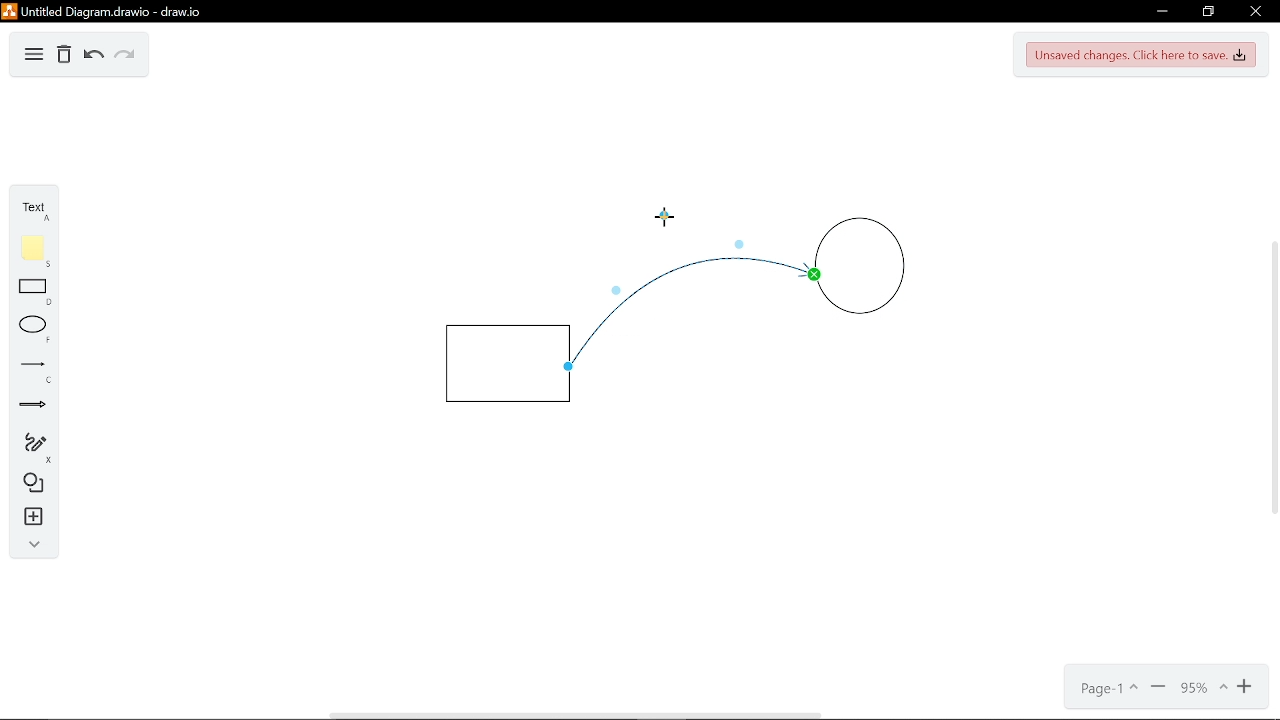 The height and width of the screenshot is (720, 1280). Describe the element at coordinates (126, 56) in the screenshot. I see `Redo` at that location.